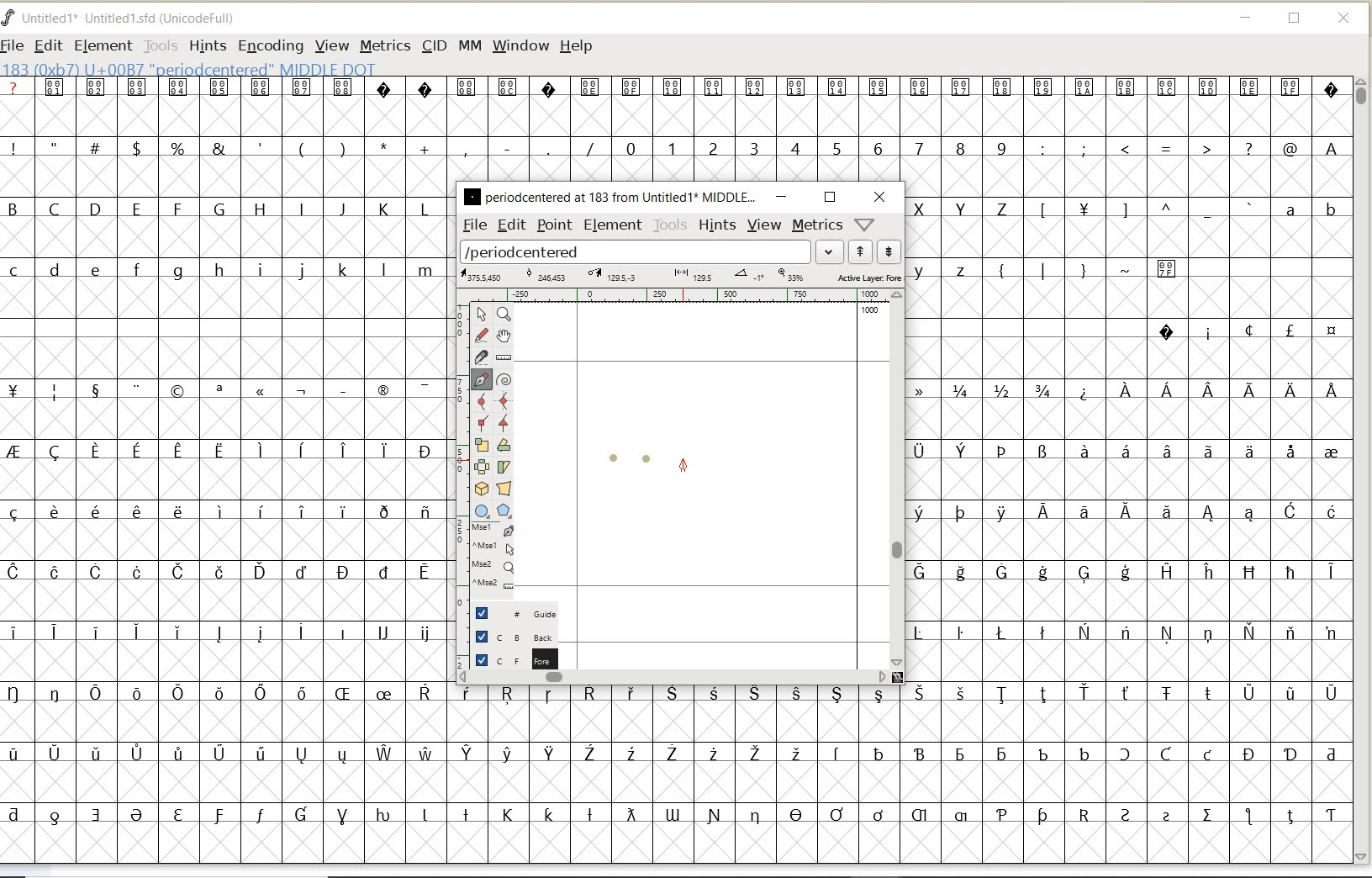  I want to click on HELP, so click(576, 45).